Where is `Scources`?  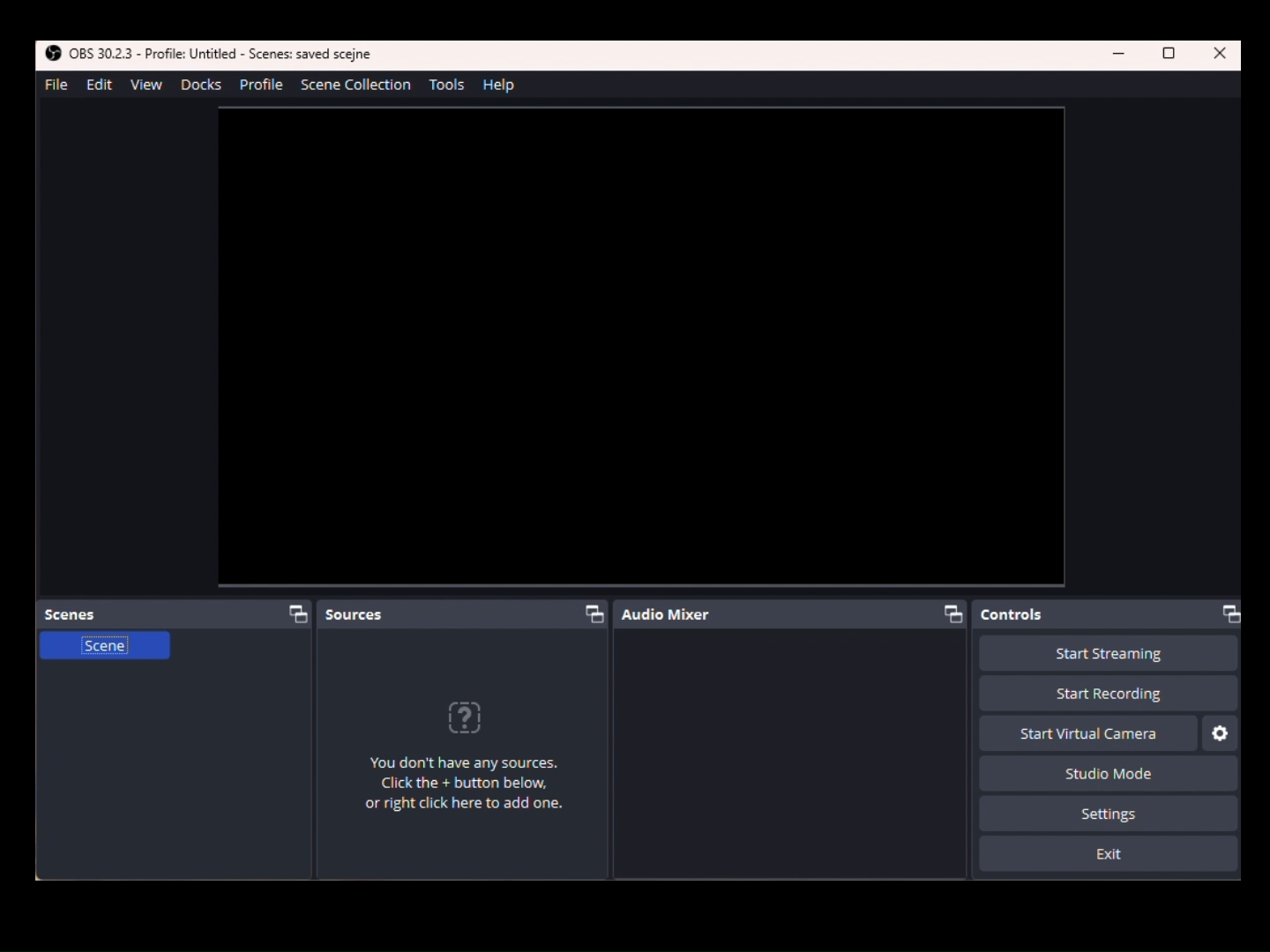 Scources is located at coordinates (465, 612).